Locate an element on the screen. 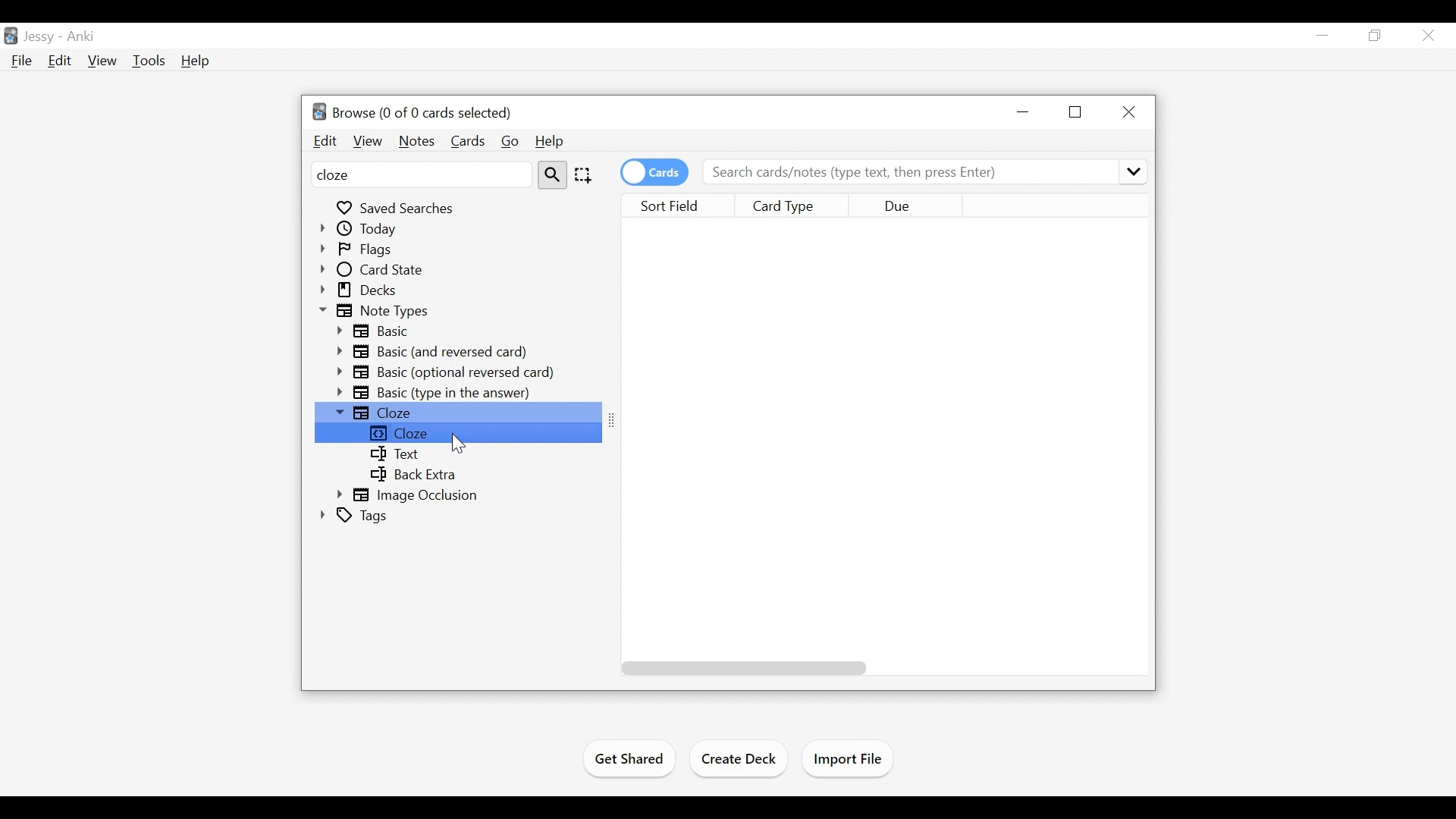 This screenshot has height=819, width=1456. Edit is located at coordinates (325, 141).